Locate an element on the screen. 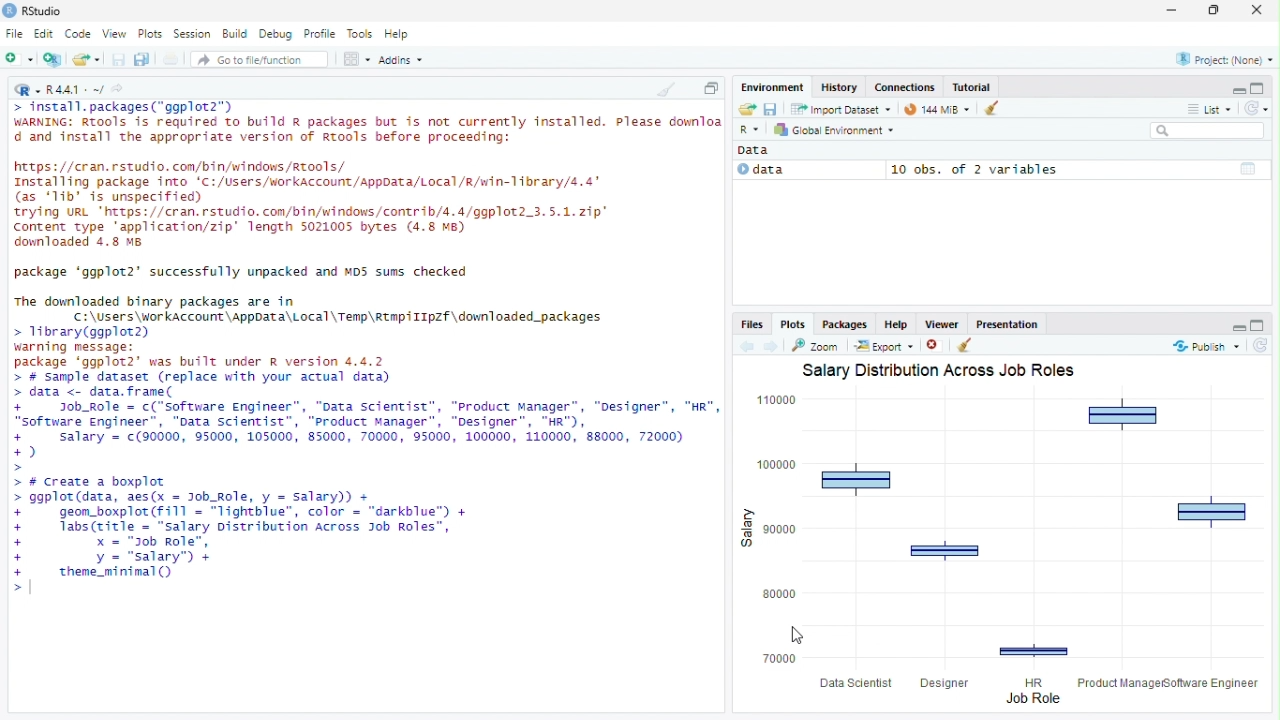 The width and height of the screenshot is (1280, 720). Cursor is located at coordinates (797, 634).